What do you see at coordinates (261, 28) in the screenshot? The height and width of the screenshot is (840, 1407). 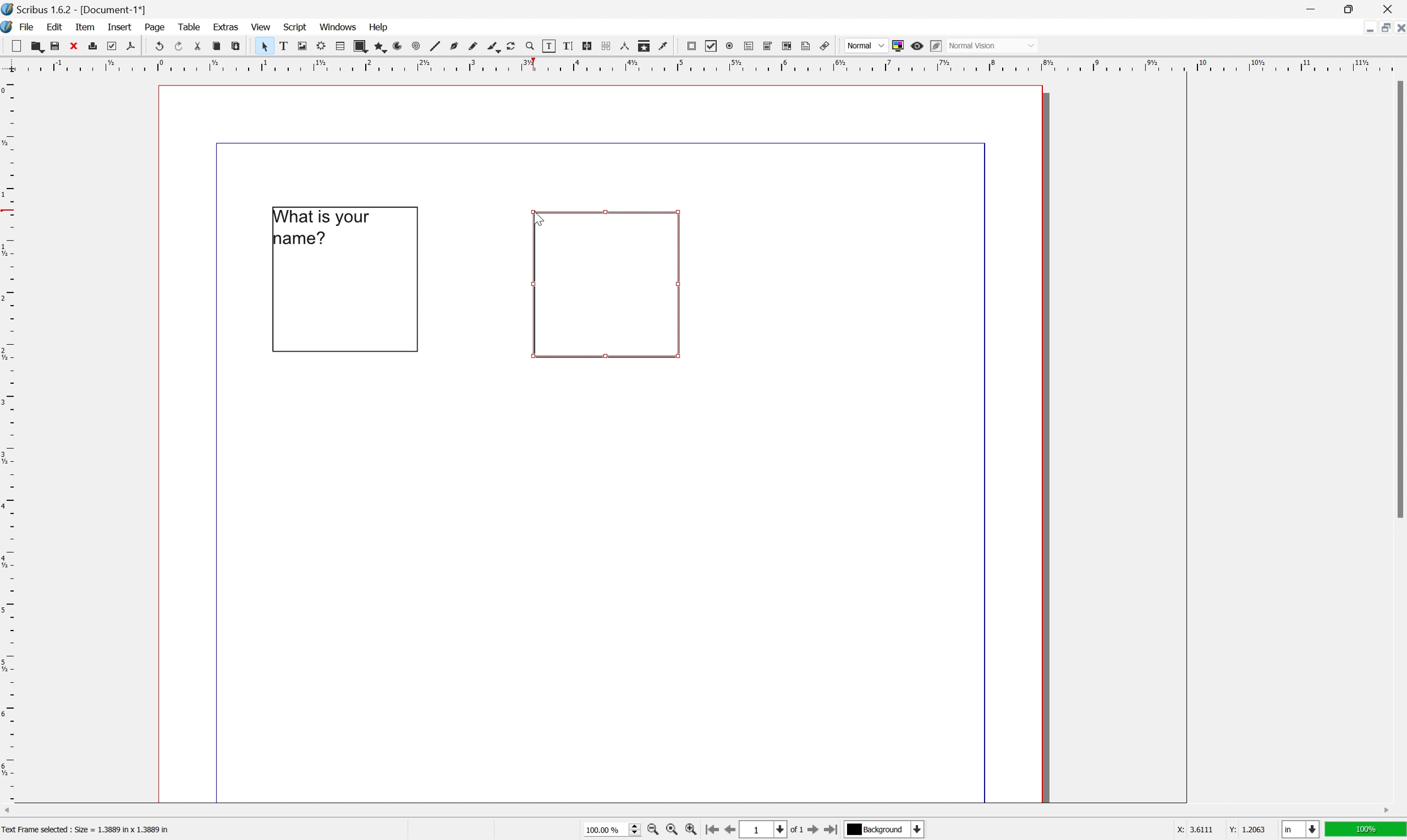 I see `view` at bounding box center [261, 28].